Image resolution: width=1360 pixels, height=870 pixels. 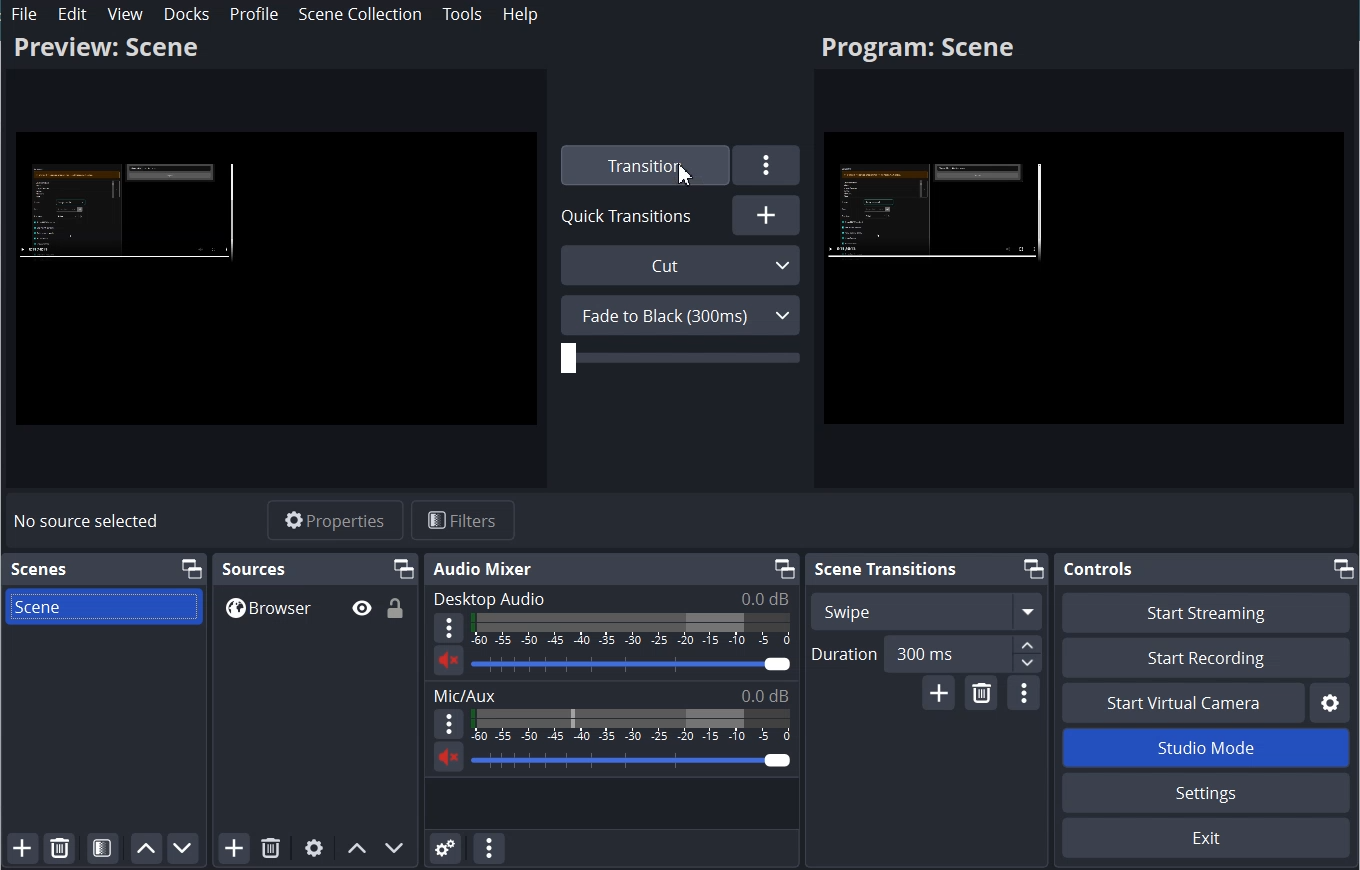 I want to click on Text, so click(x=39, y=569).